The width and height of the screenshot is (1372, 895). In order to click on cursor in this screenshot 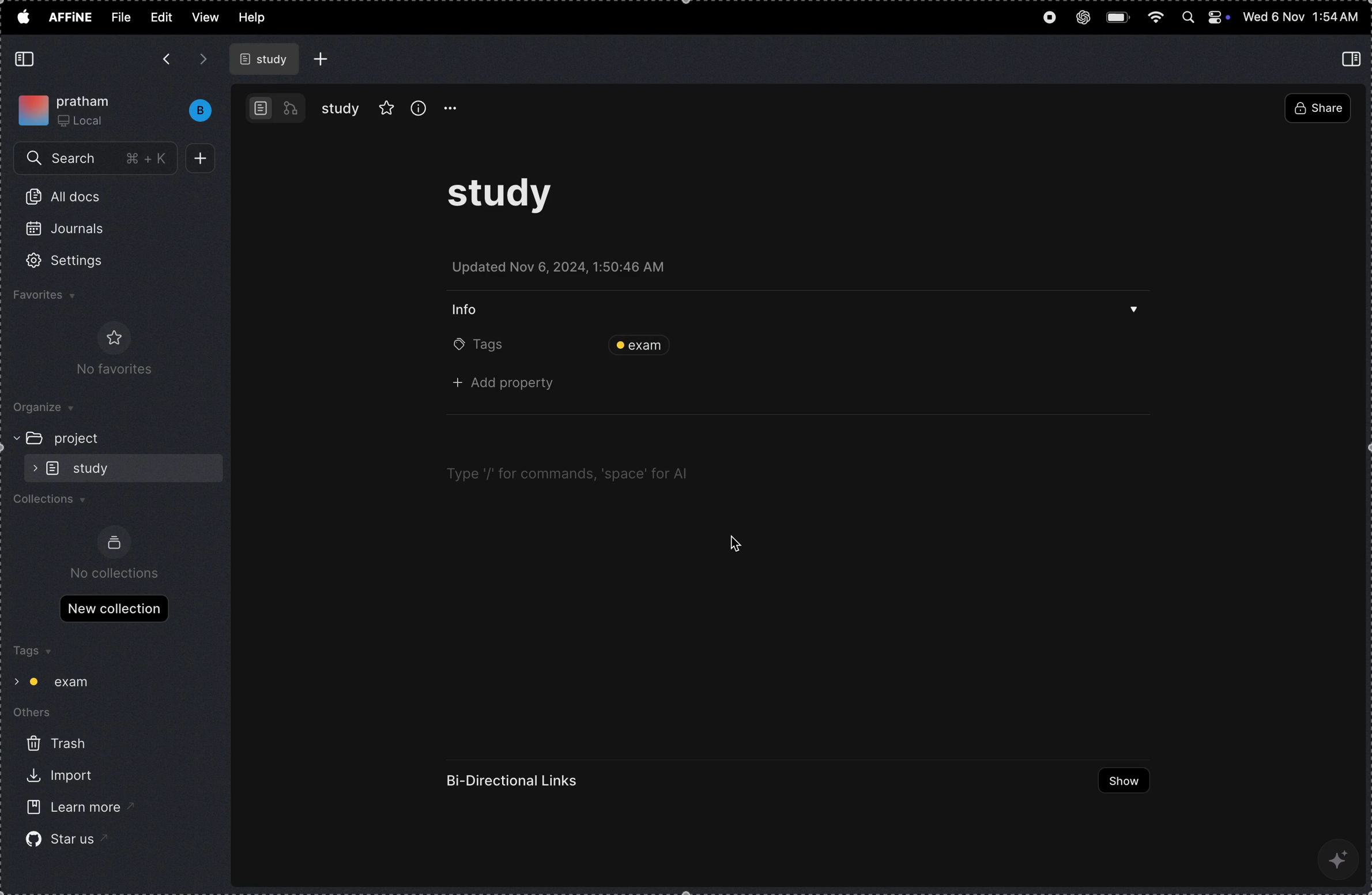, I will do `click(738, 541)`.